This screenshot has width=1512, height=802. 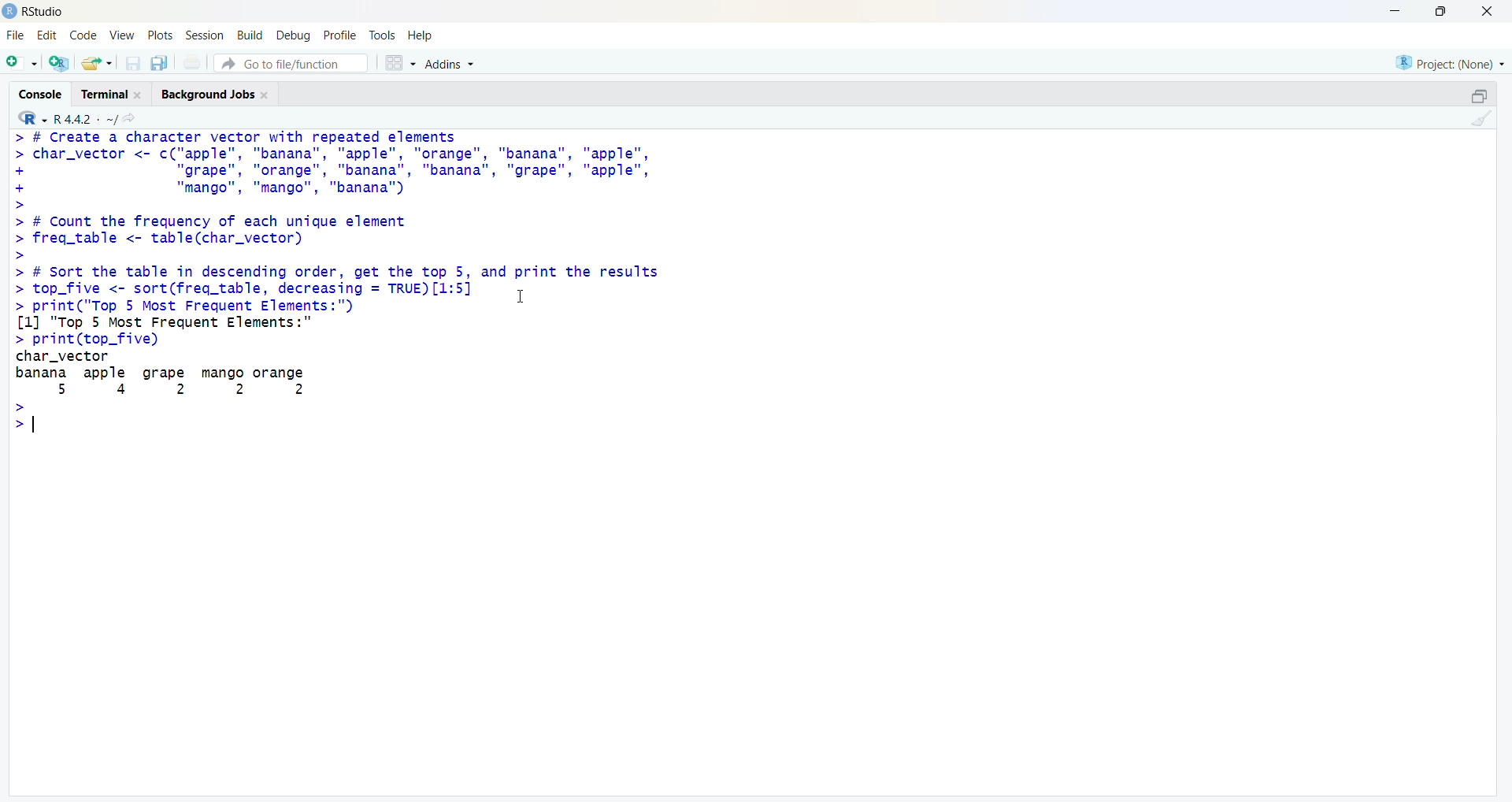 What do you see at coordinates (1389, 13) in the screenshot?
I see `Minimize` at bounding box center [1389, 13].